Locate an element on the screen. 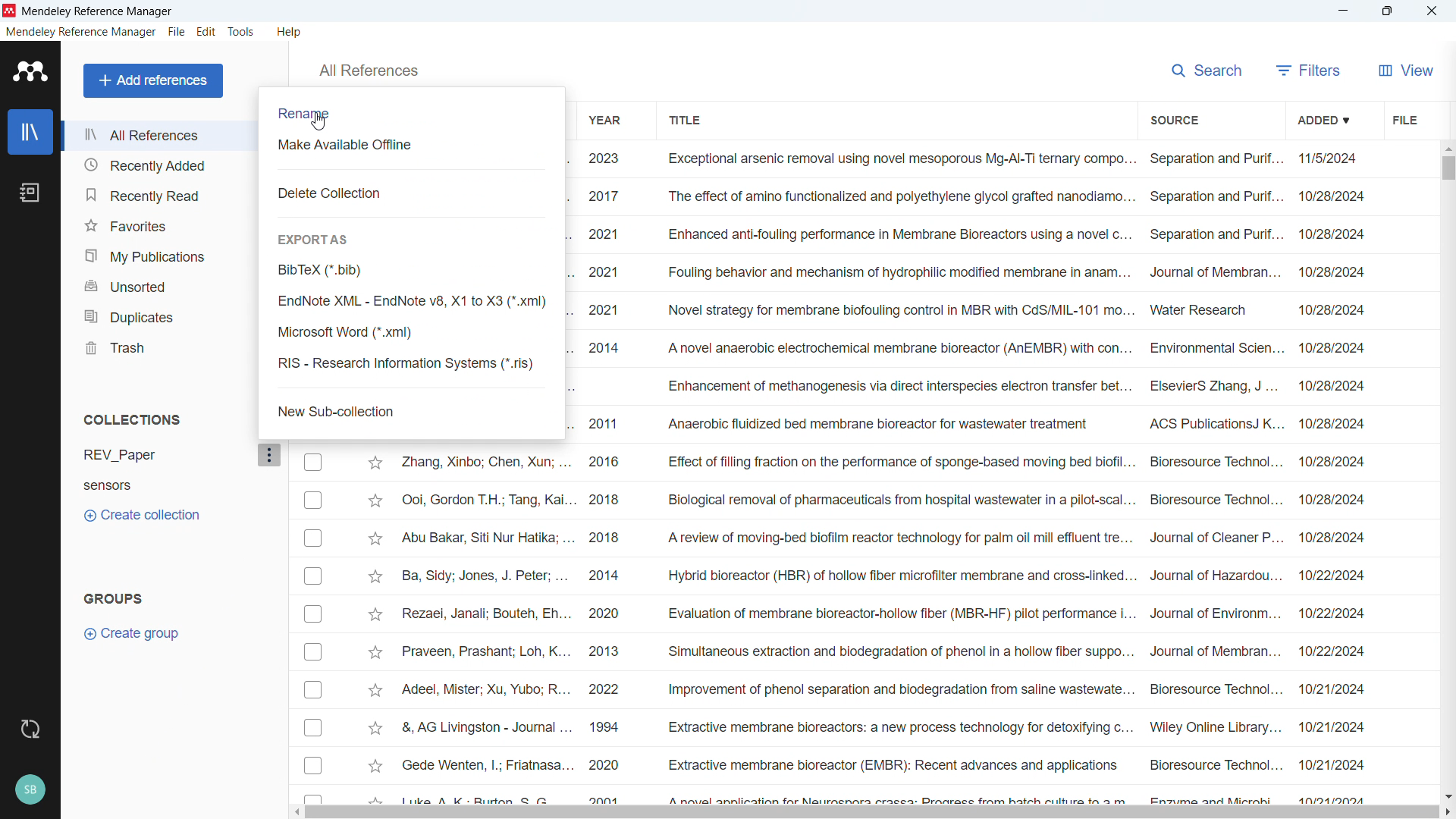  Katuri, Krishna P.; Werner, ... 2014 A novel anaerobic electrochemical membrane bioreactor (AnEMBR) with con... Environmental Scien... 10/28/2024 is located at coordinates (969, 349).